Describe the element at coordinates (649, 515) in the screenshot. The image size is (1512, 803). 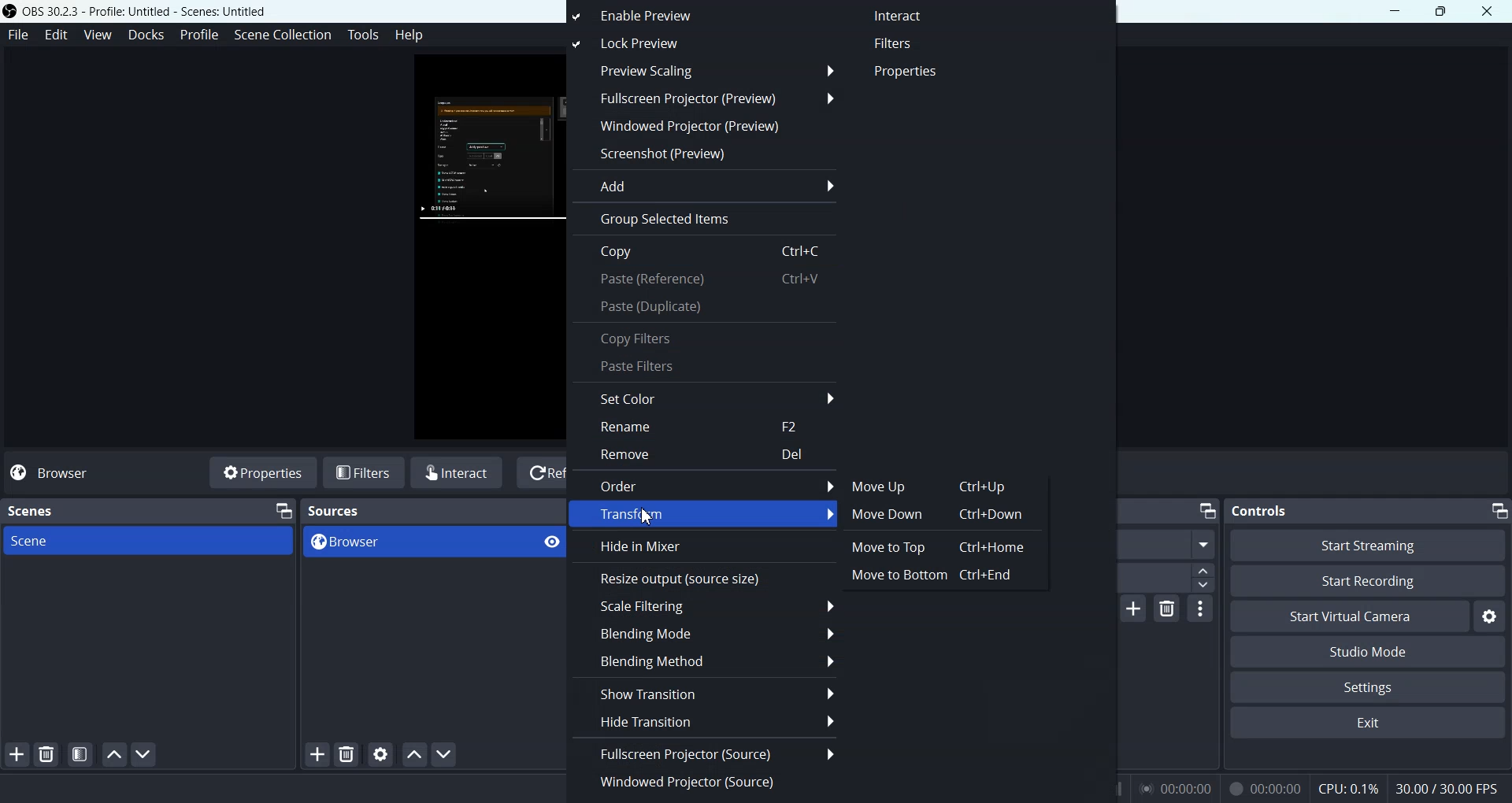
I see `Cursor` at that location.